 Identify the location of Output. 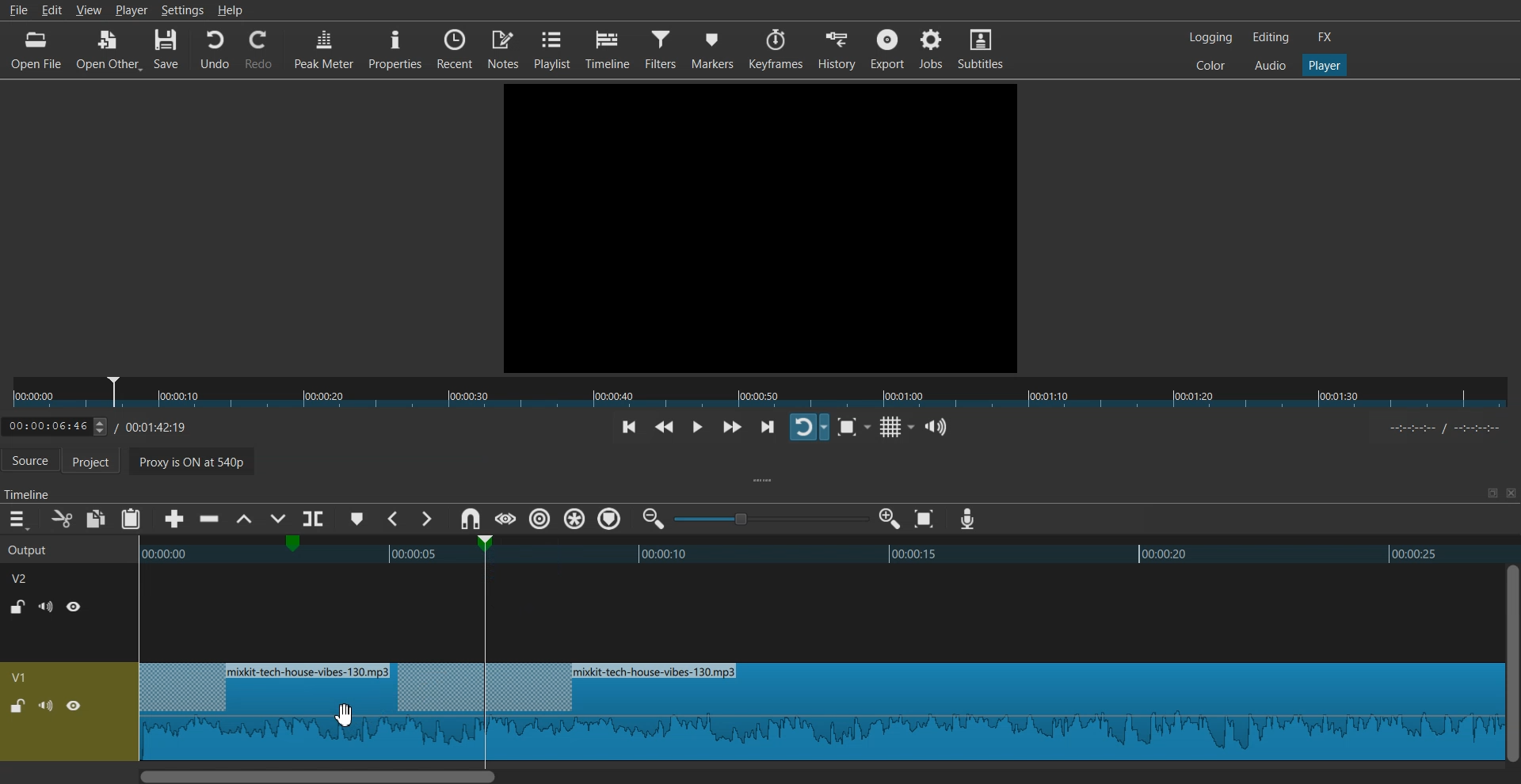
(49, 548).